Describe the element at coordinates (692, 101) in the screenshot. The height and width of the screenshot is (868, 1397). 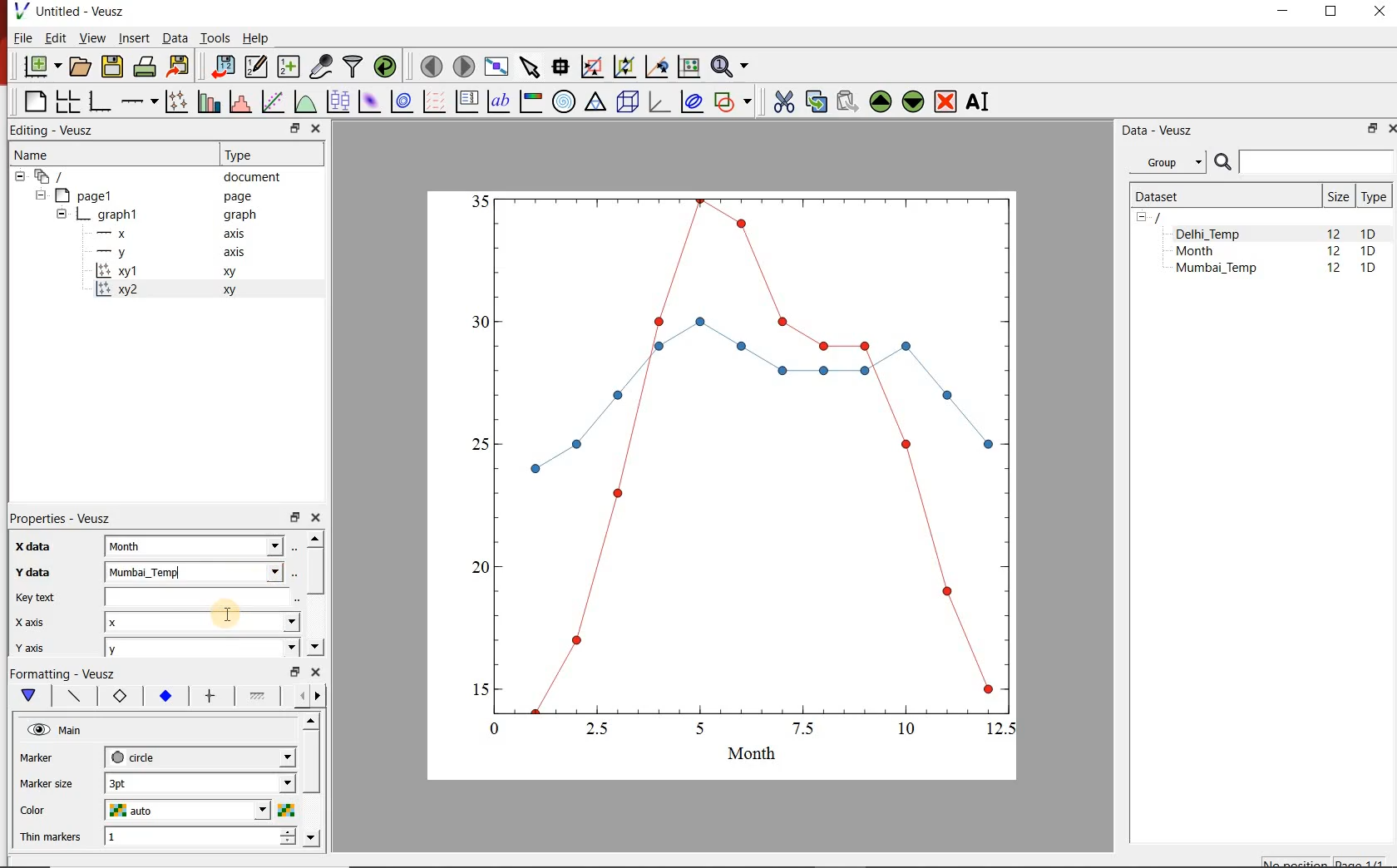
I see `plot covariance ellipses` at that location.